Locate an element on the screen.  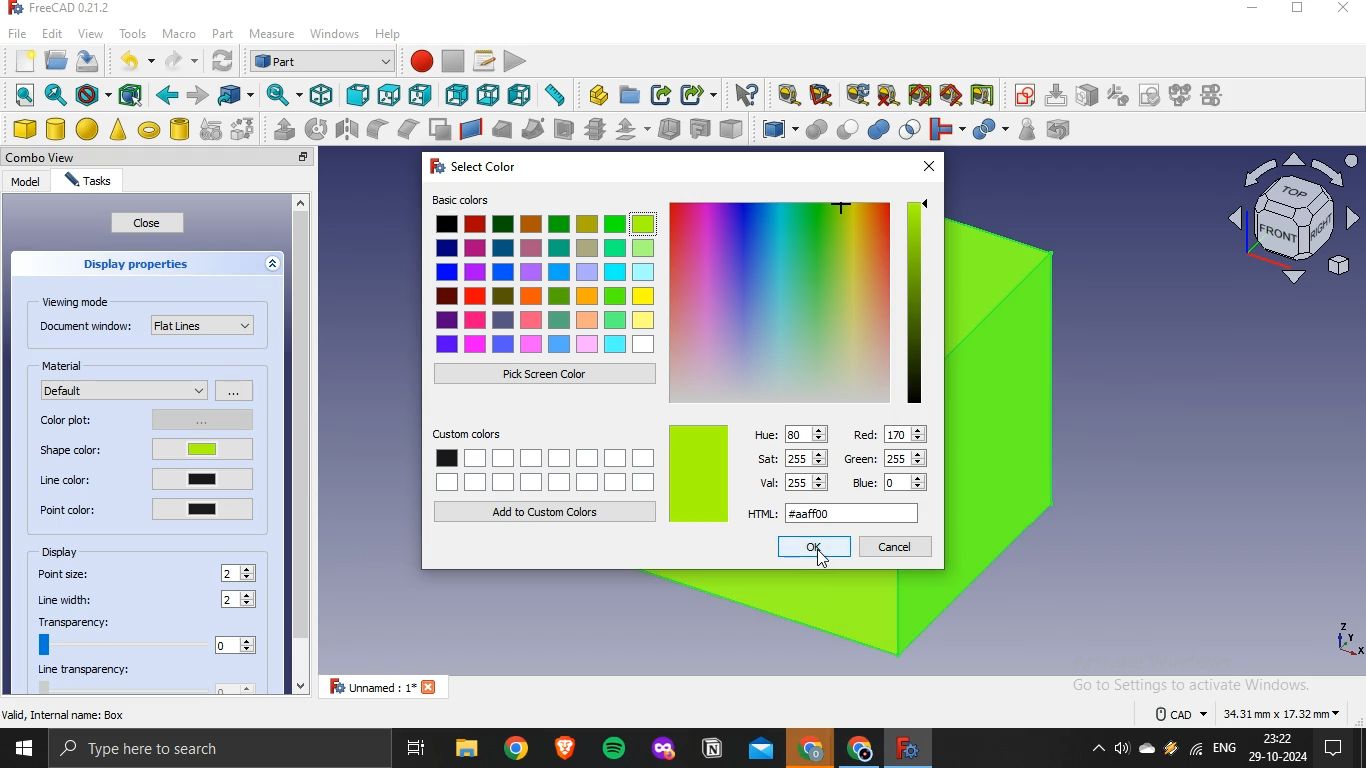
fillet is located at coordinates (379, 129).